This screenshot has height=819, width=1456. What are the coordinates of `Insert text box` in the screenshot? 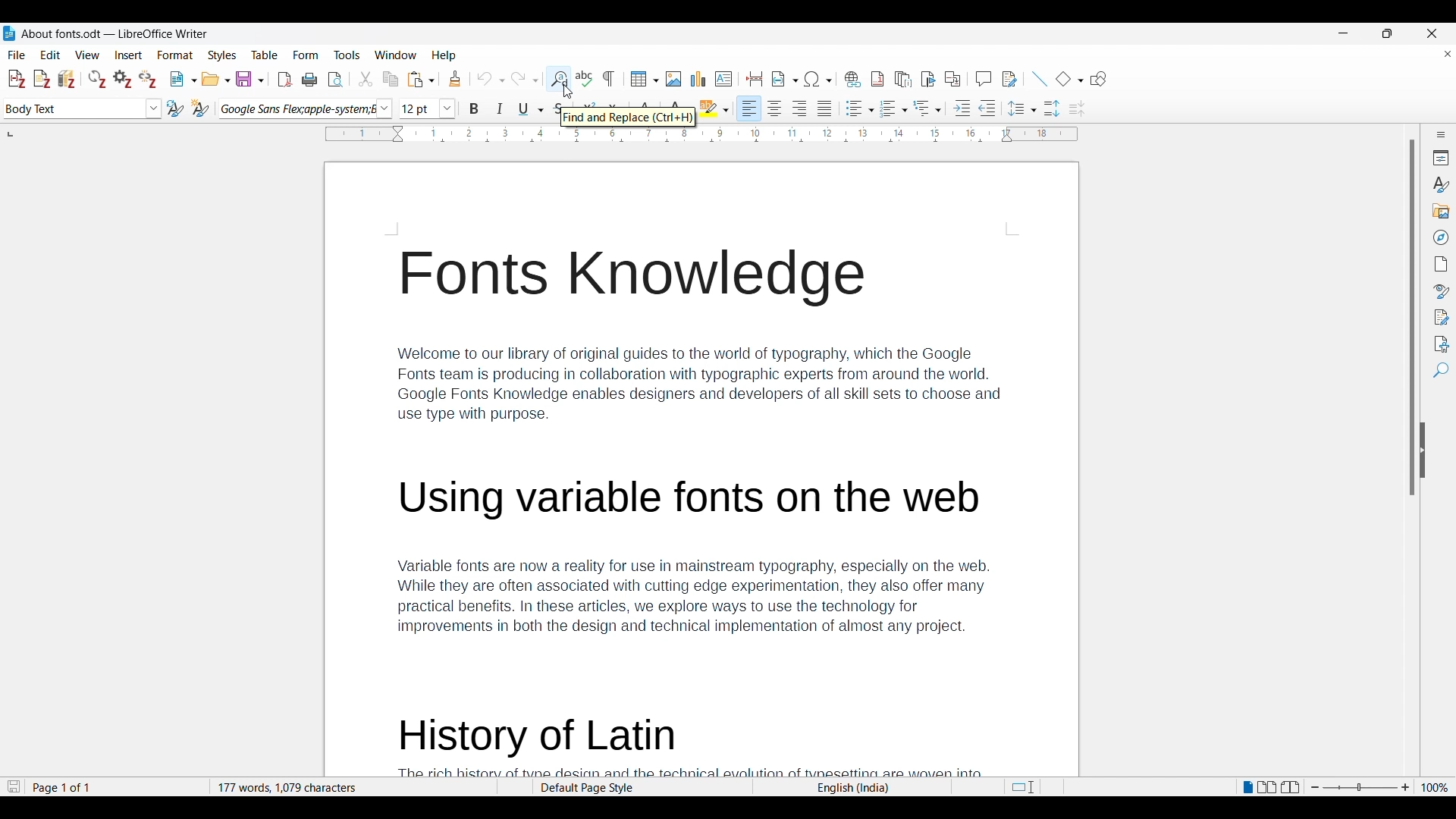 It's located at (724, 79).